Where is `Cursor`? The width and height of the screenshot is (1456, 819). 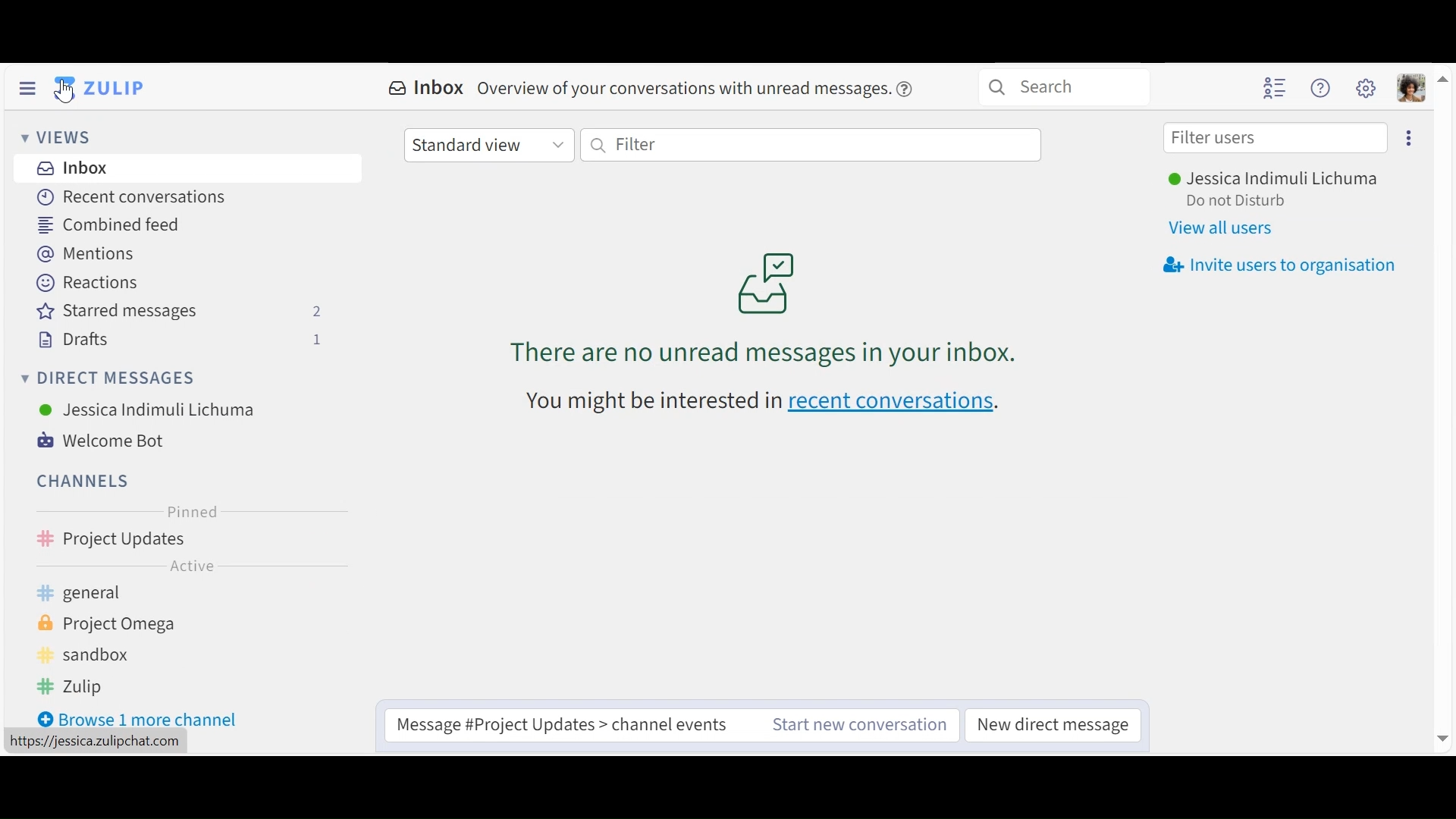
Cursor is located at coordinates (70, 94).